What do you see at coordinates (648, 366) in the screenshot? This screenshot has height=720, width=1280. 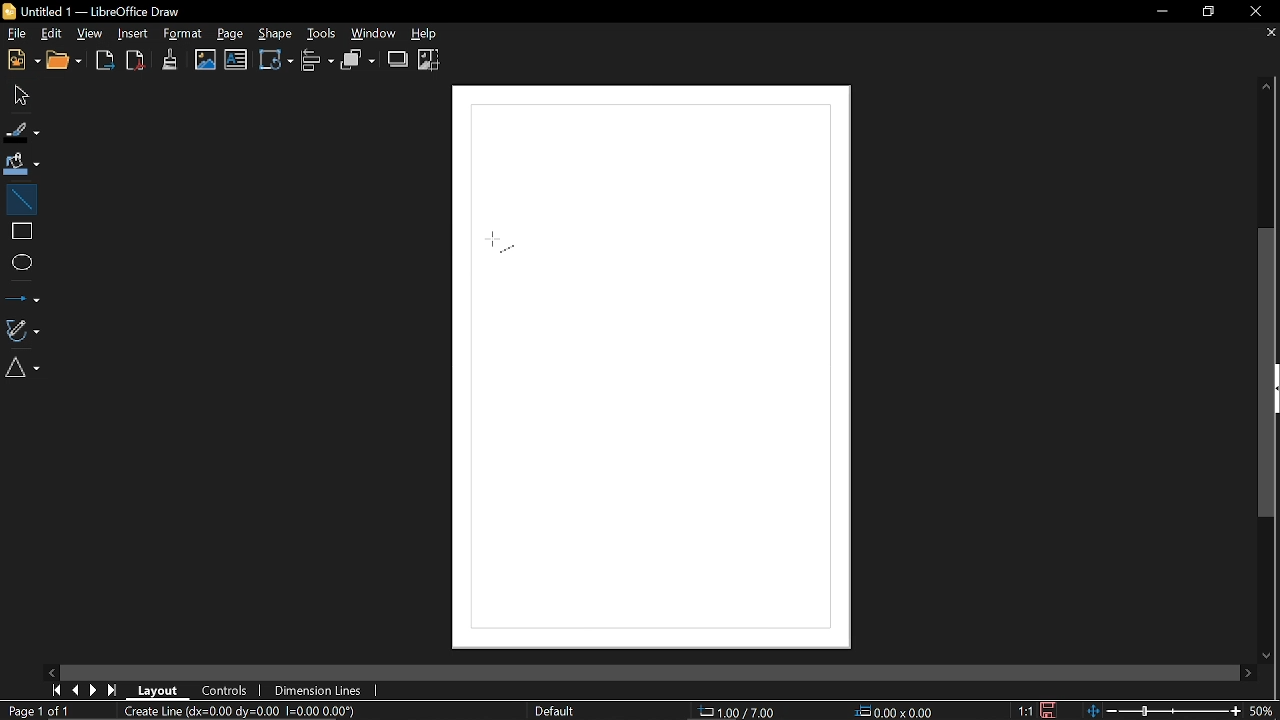 I see `canvas` at bounding box center [648, 366].